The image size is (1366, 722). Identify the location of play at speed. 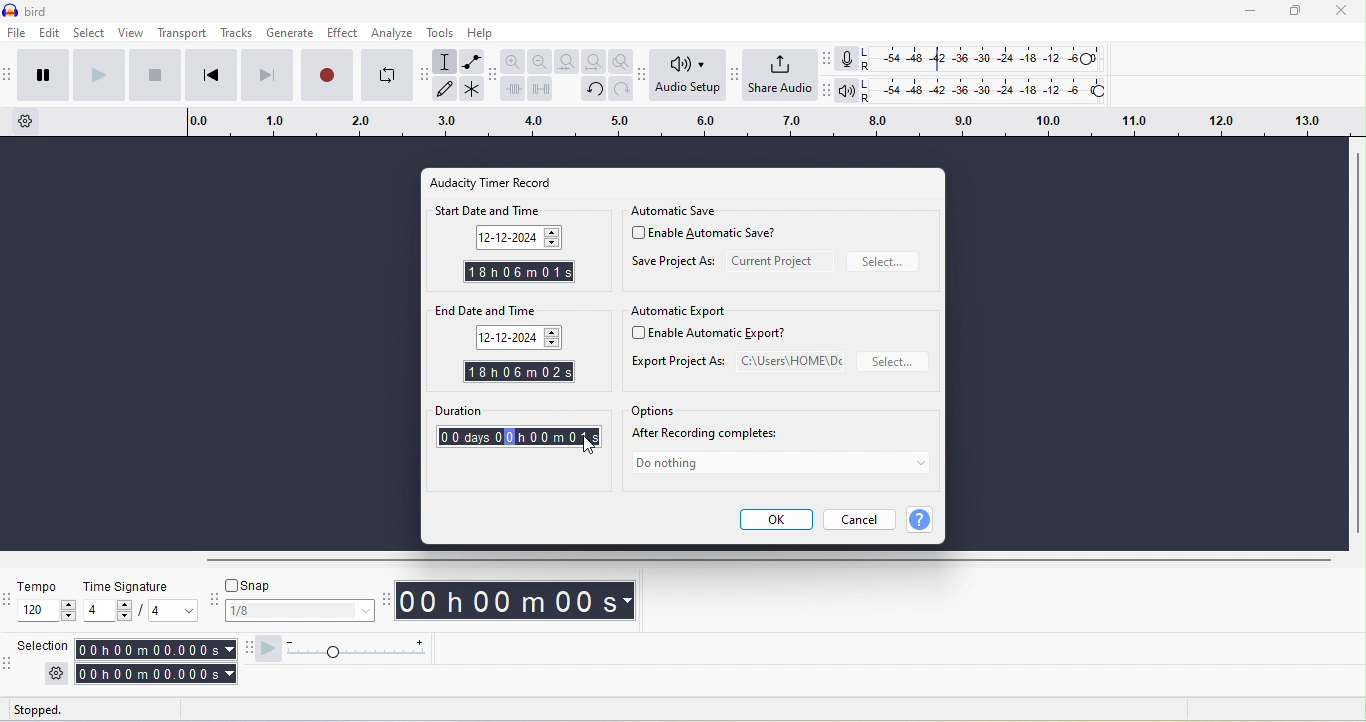
(357, 648).